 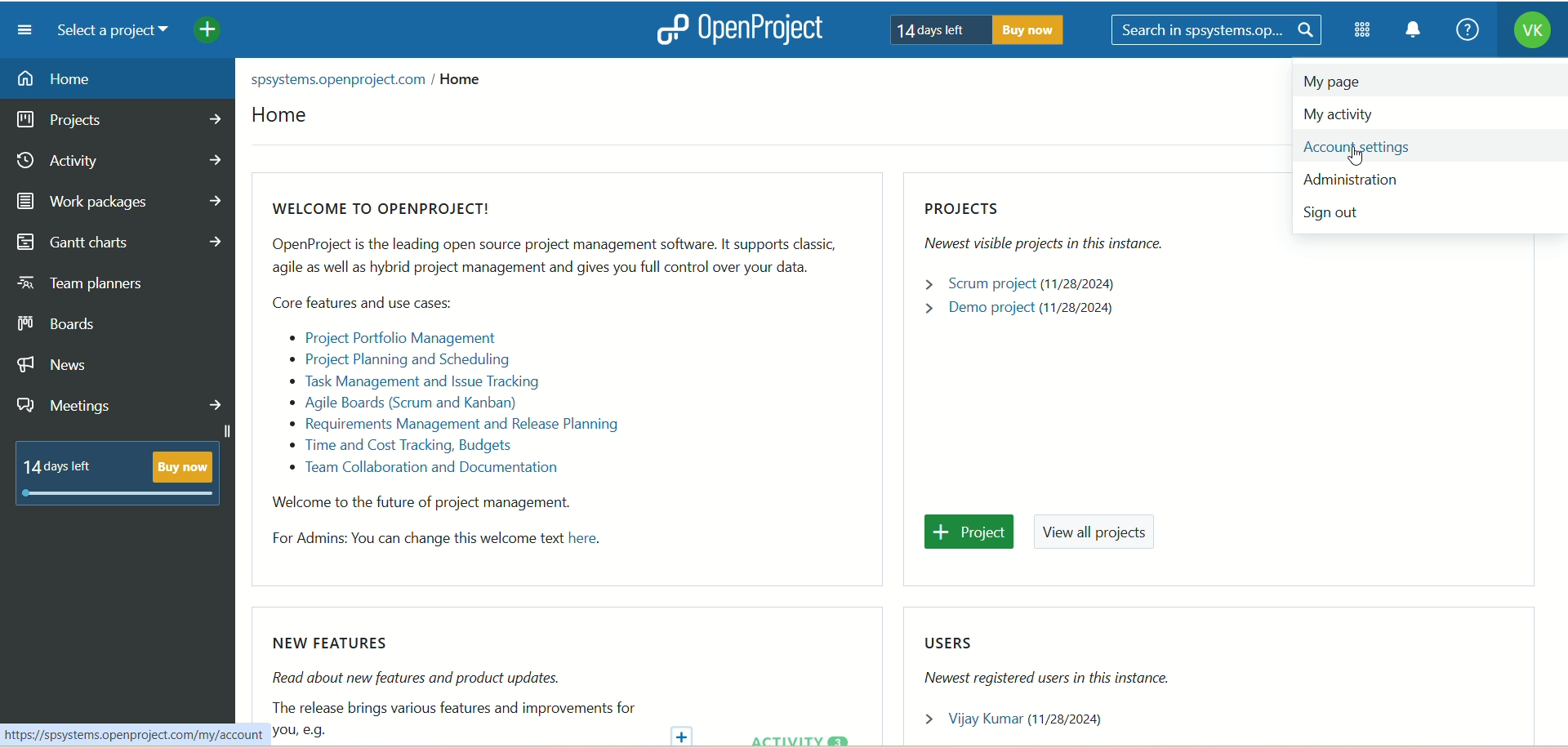 I want to click on home, so click(x=280, y=119).